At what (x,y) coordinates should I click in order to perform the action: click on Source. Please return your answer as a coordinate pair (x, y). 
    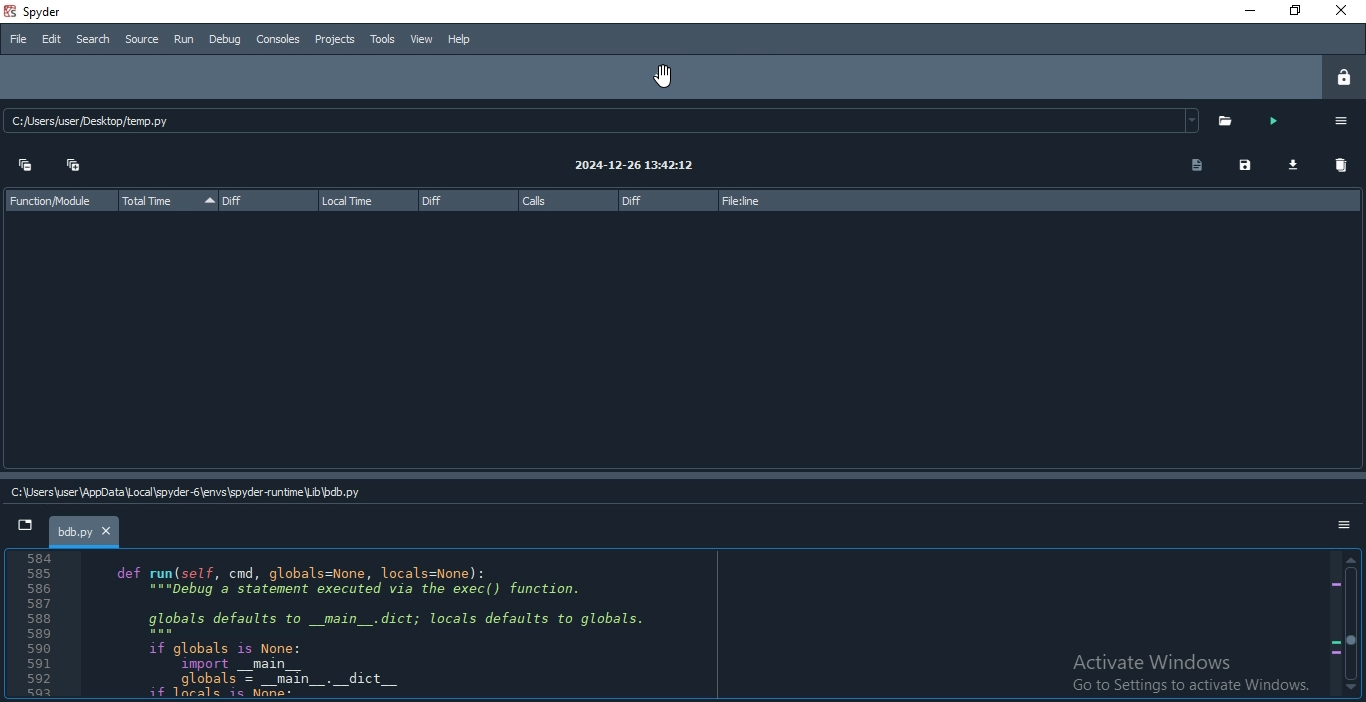
    Looking at the image, I should click on (144, 40).